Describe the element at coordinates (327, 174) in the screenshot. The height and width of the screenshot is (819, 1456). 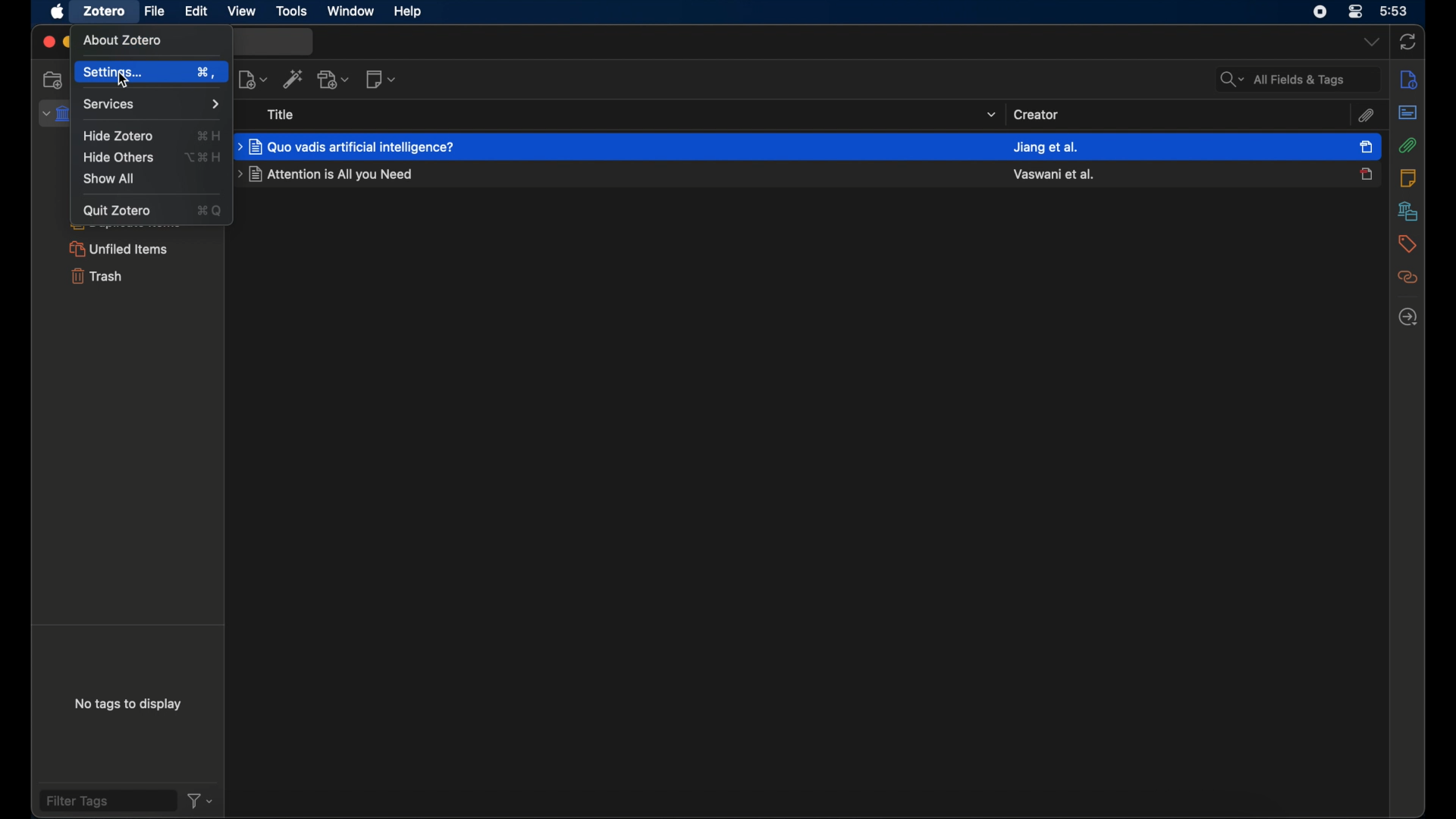
I see `journal title` at that location.